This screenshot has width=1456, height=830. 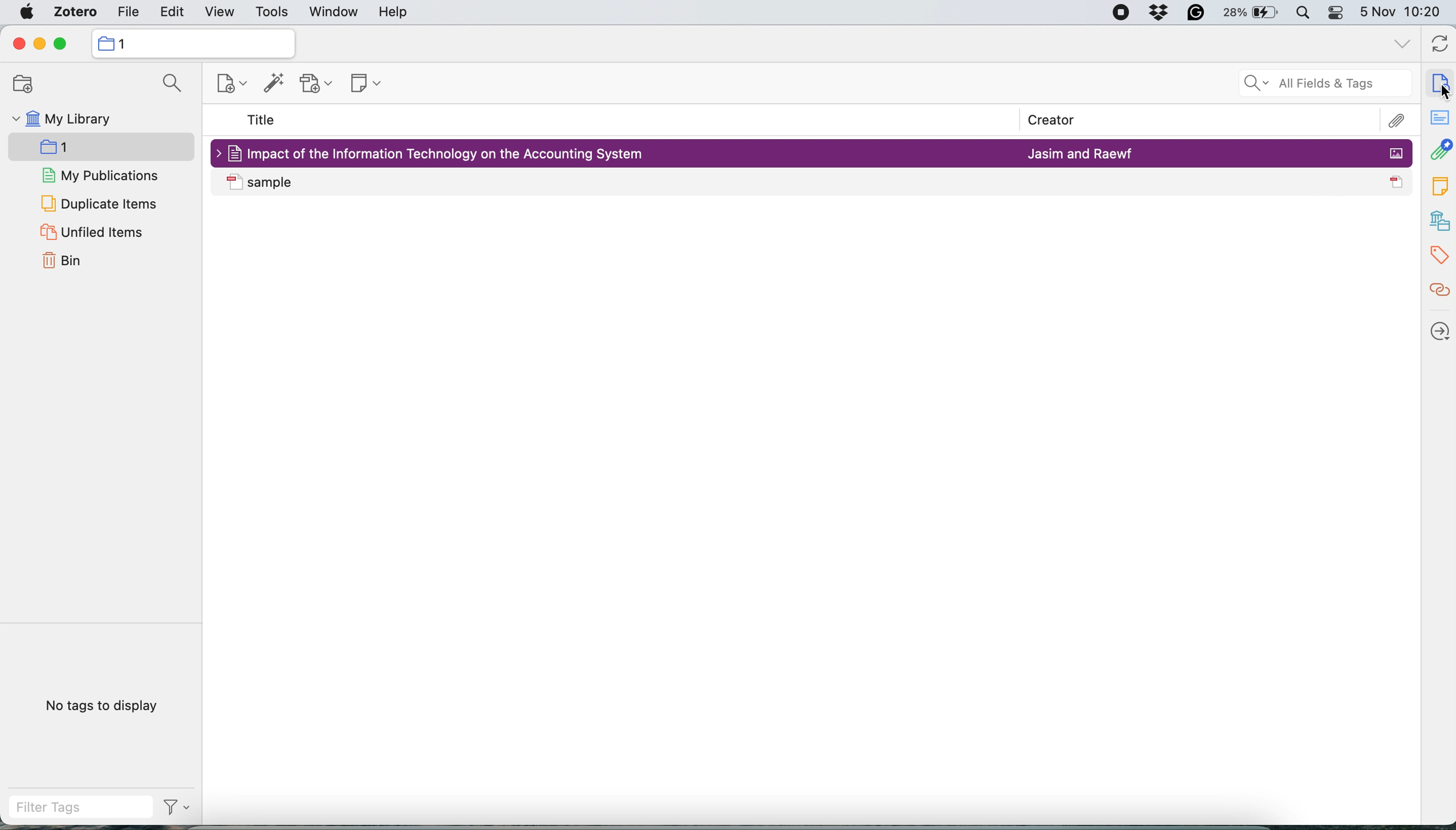 What do you see at coordinates (1401, 44) in the screenshot?
I see `all tags` at bounding box center [1401, 44].